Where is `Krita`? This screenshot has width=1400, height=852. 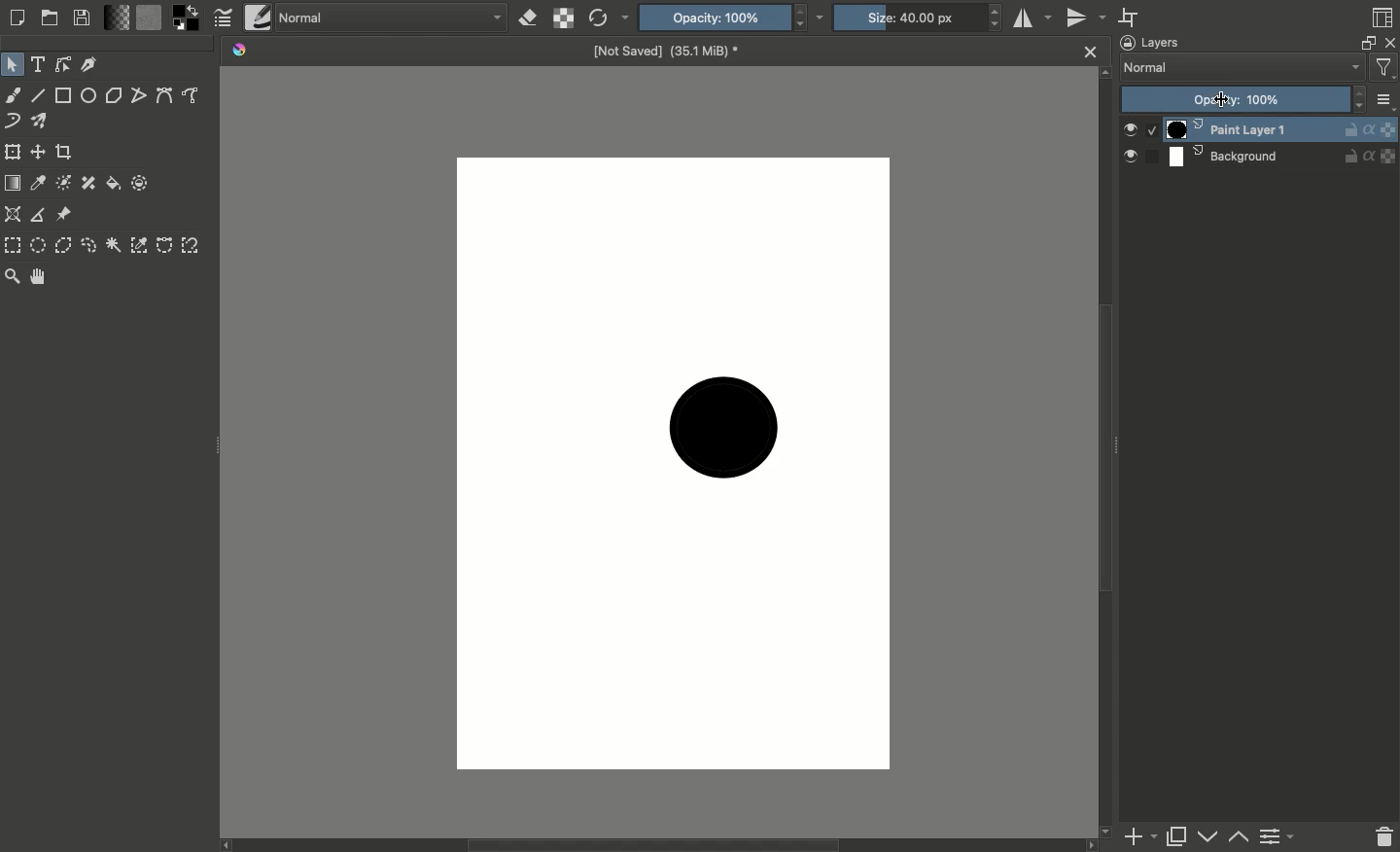 Krita is located at coordinates (242, 50).